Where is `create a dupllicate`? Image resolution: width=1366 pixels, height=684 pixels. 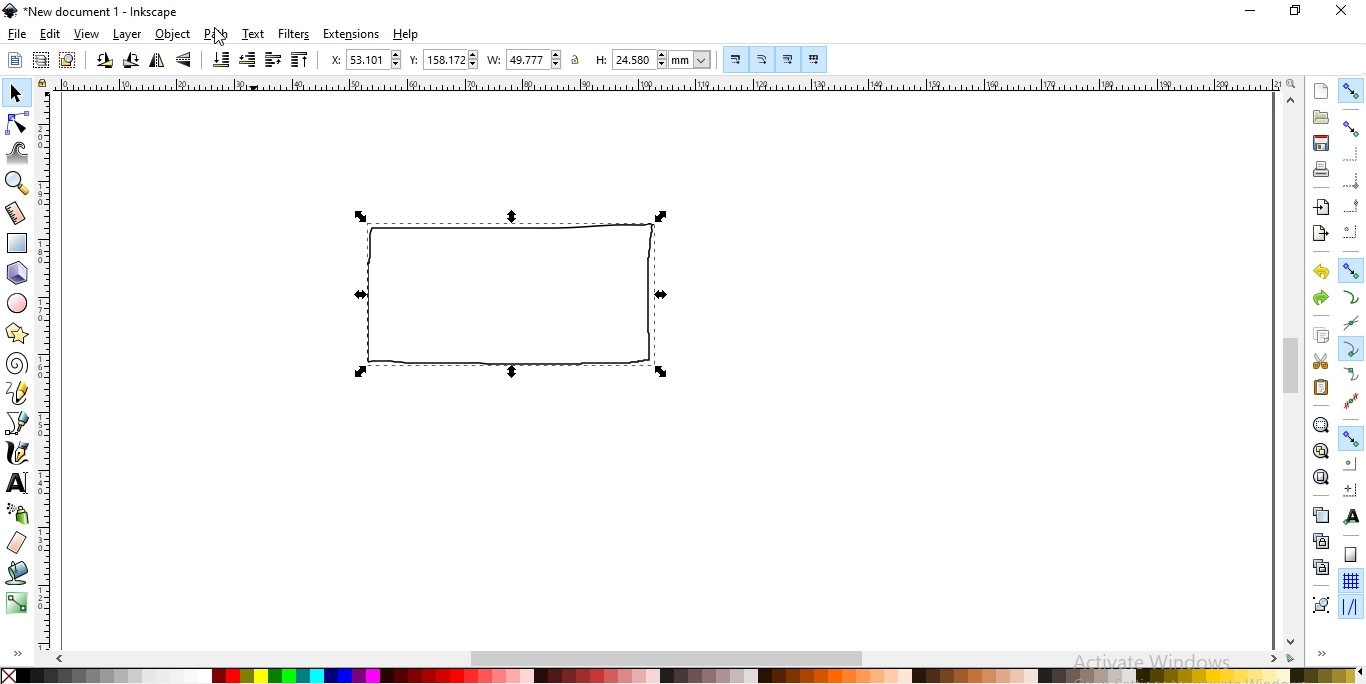 create a dupllicate is located at coordinates (1320, 515).